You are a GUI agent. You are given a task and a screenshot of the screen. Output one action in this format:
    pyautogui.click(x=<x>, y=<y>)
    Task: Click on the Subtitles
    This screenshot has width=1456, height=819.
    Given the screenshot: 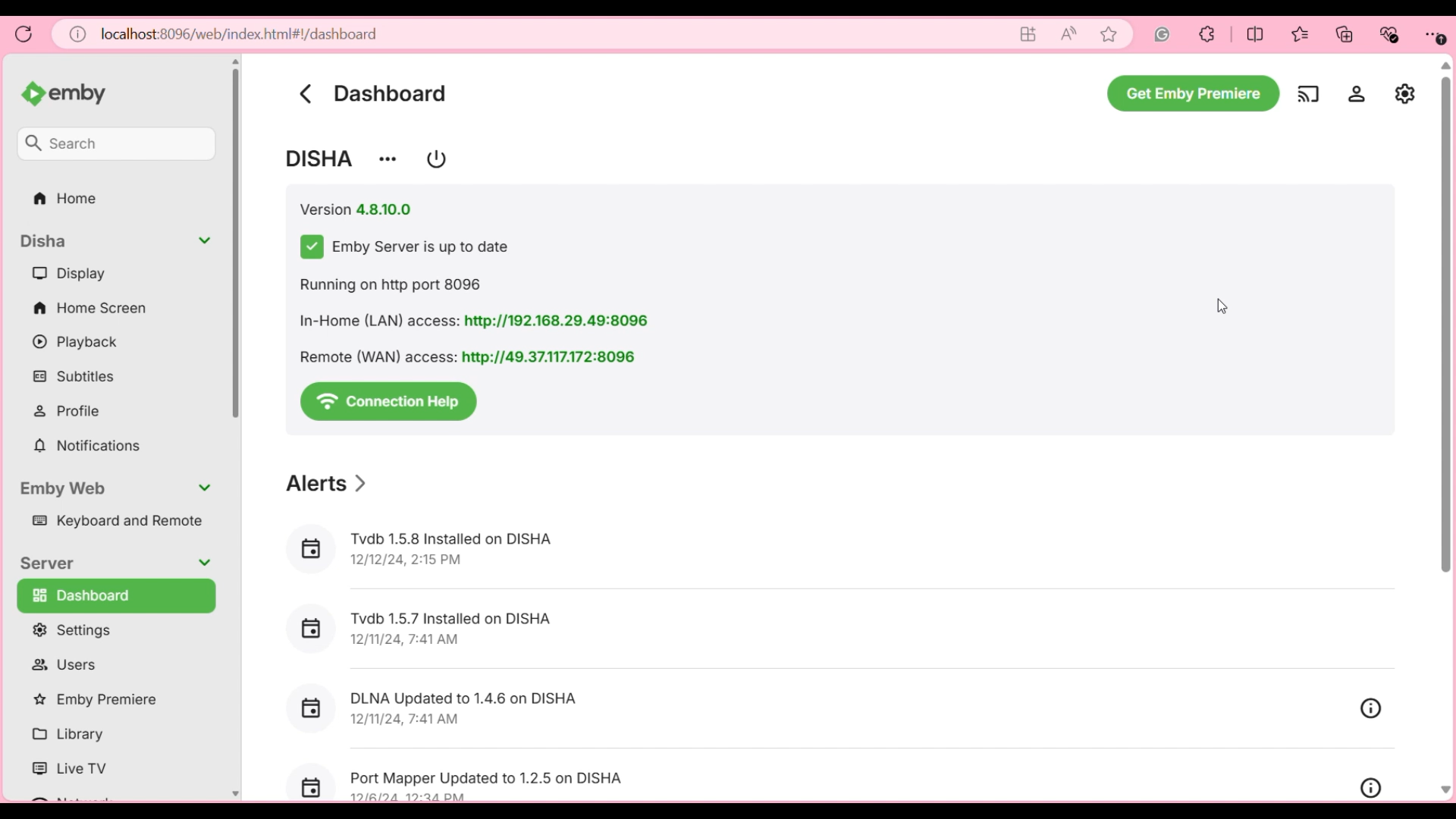 What is the action you would take?
    pyautogui.click(x=113, y=376)
    